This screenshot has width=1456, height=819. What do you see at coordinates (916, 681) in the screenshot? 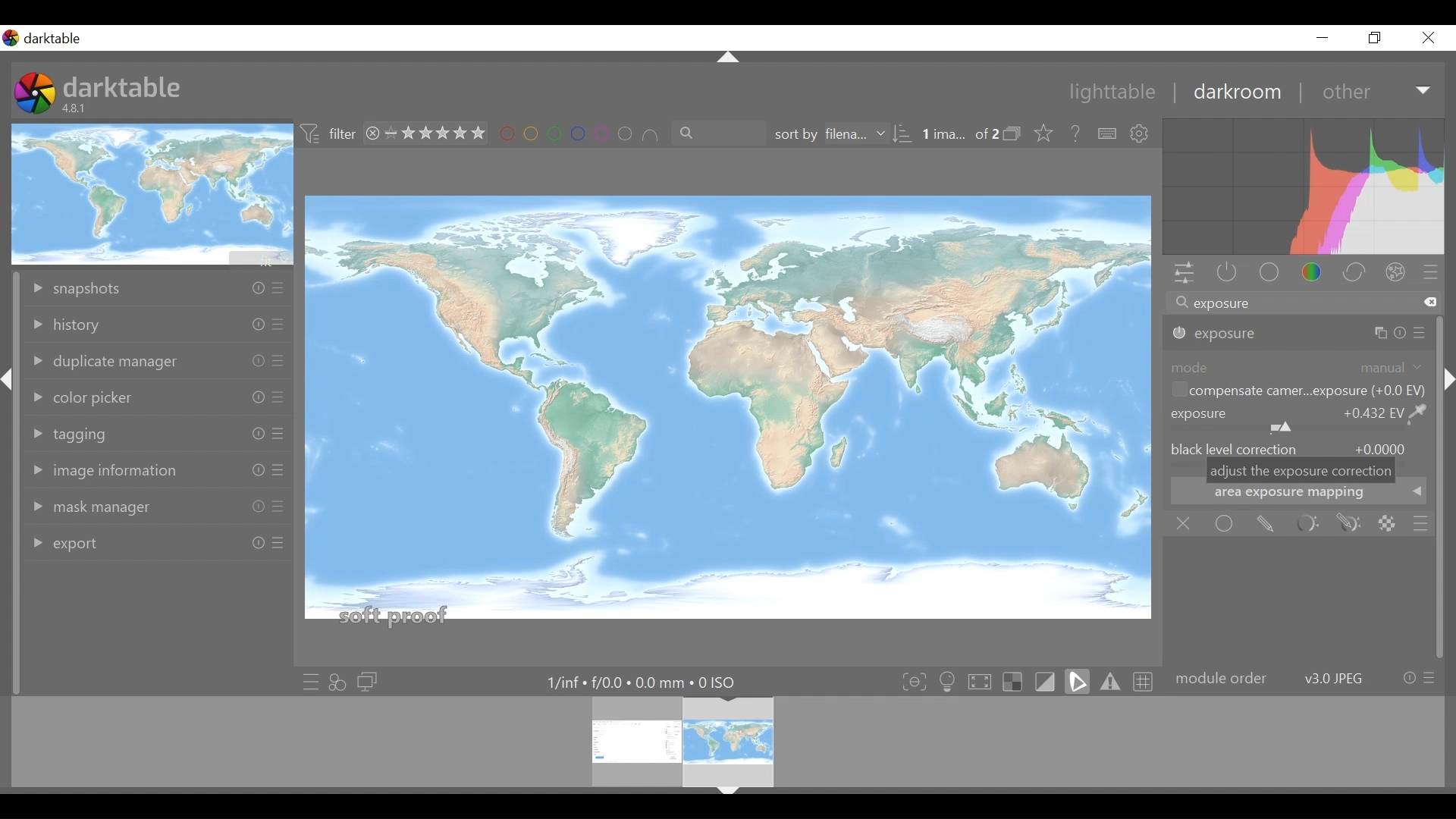
I see `toggle focus peaking mode` at bounding box center [916, 681].